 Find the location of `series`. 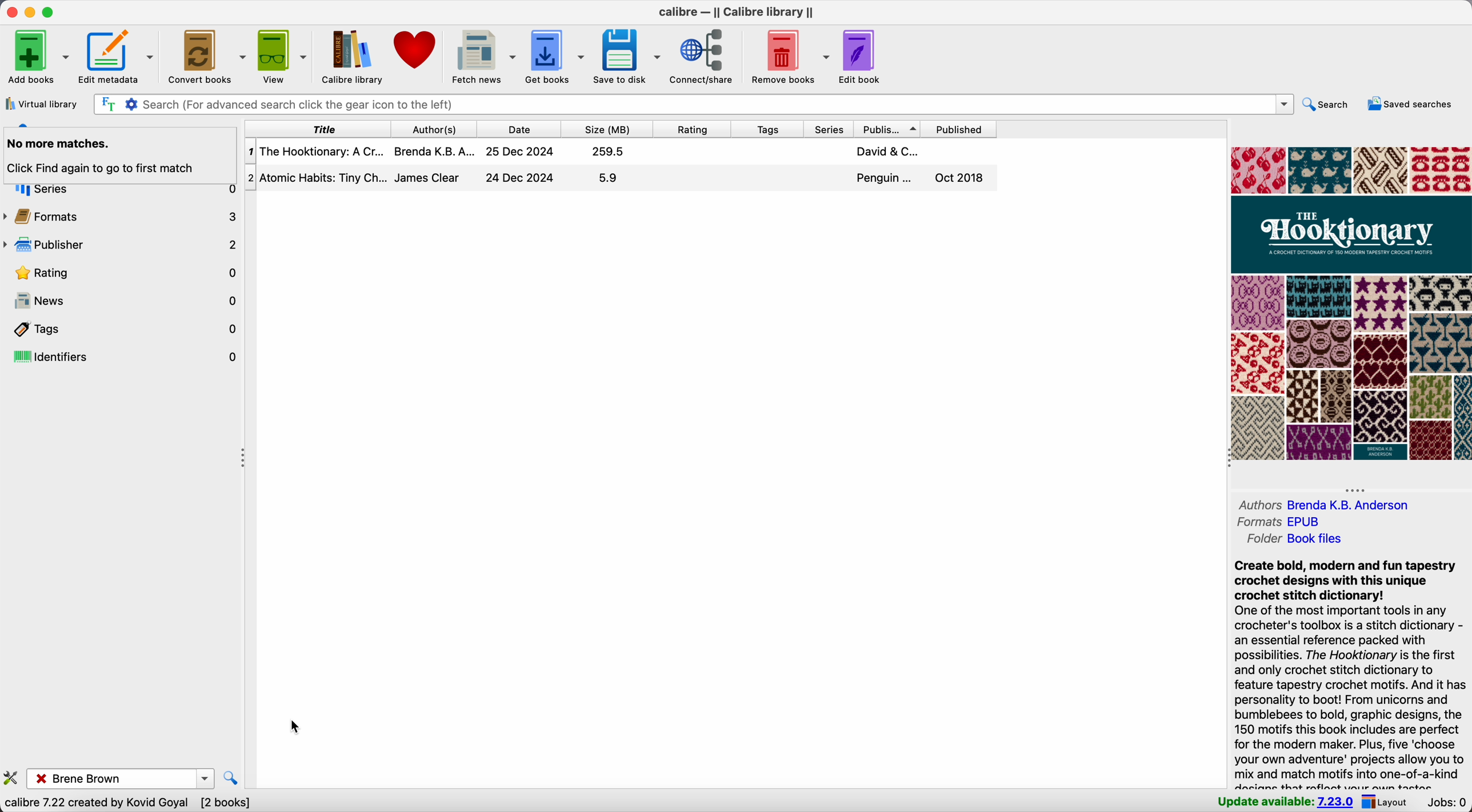

series is located at coordinates (121, 191).